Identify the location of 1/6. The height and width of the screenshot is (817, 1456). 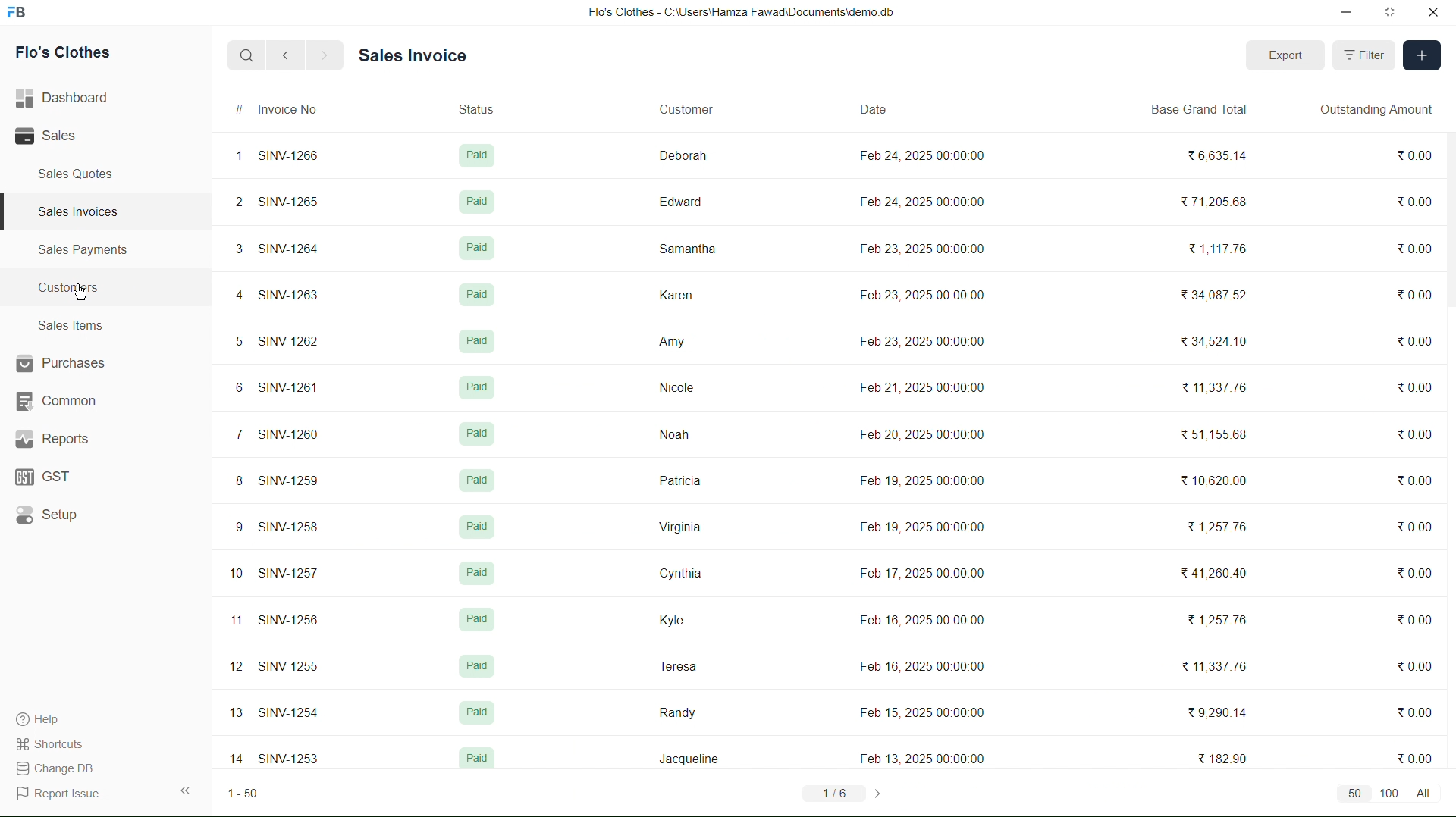
(843, 792).